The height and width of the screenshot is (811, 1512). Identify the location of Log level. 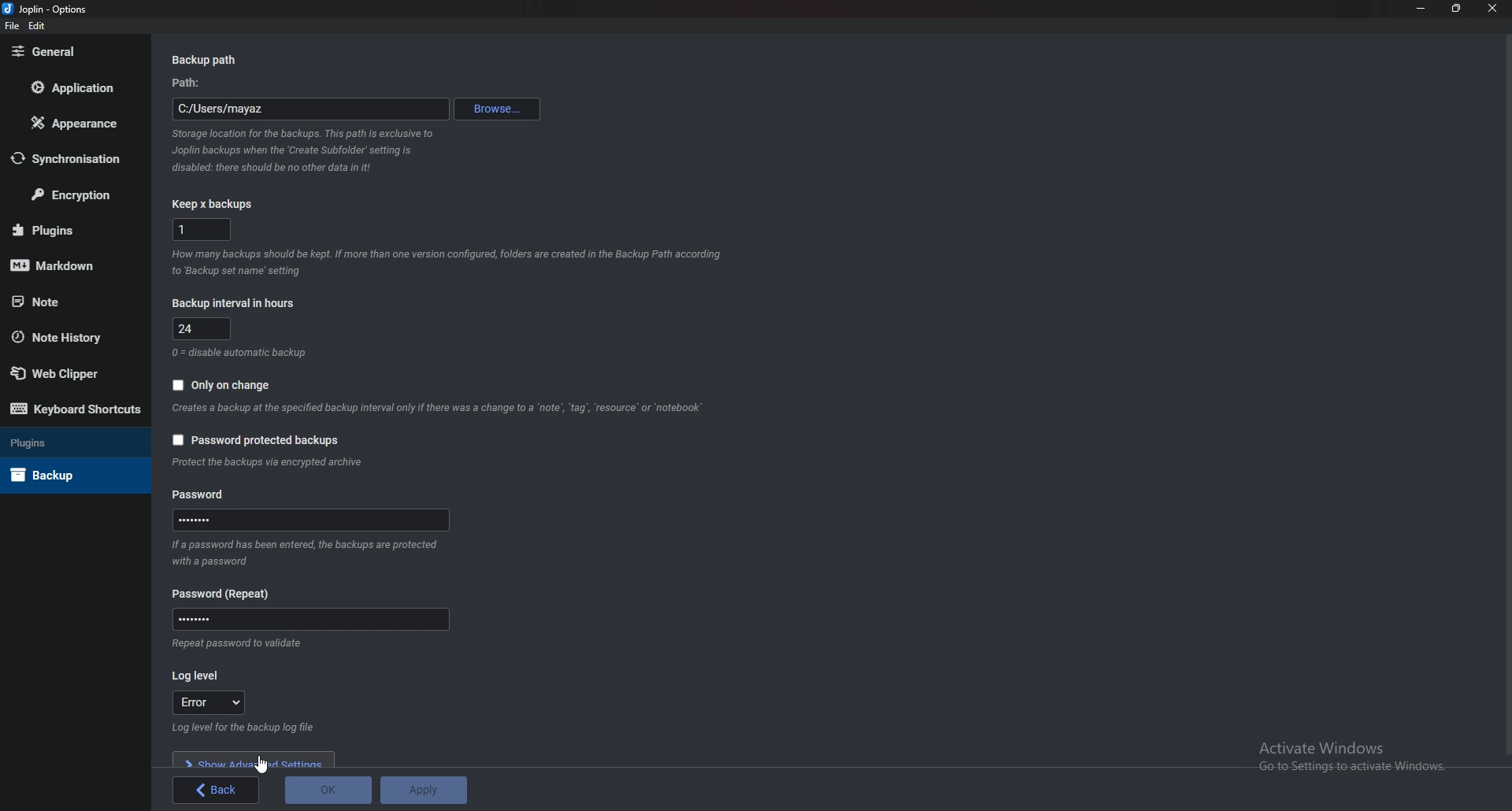
(202, 677).